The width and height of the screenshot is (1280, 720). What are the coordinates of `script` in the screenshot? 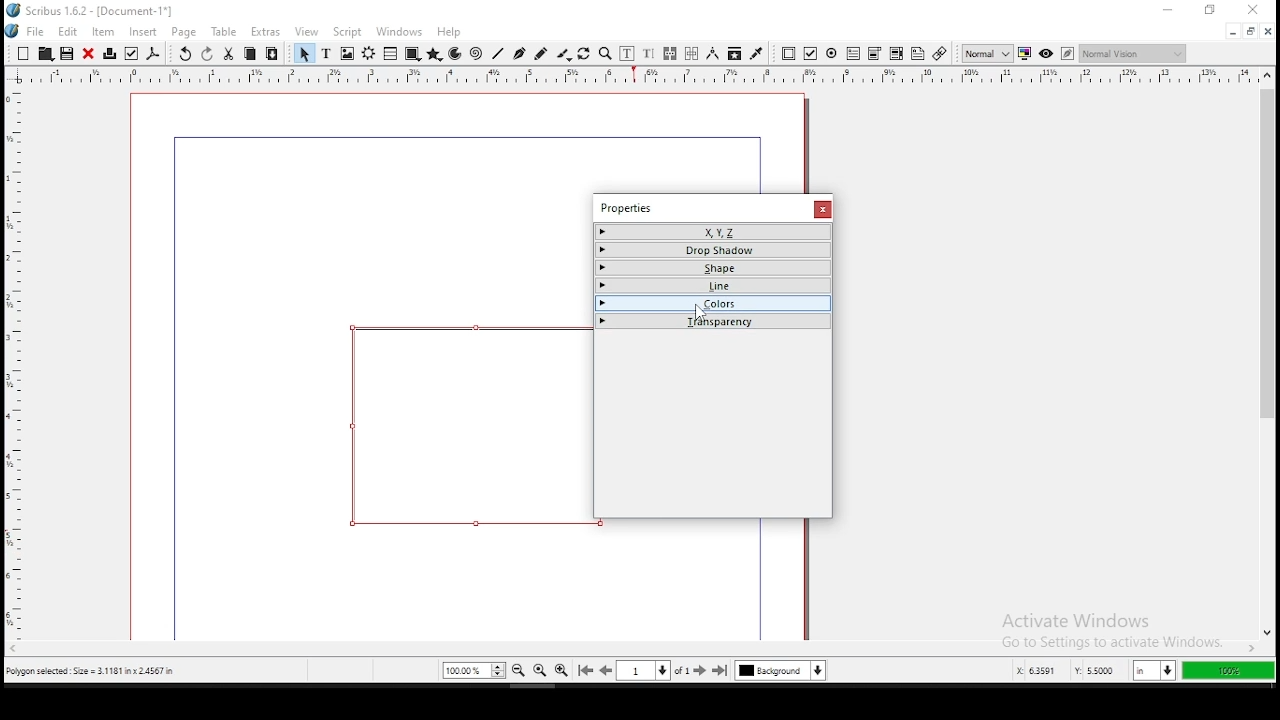 It's located at (346, 32).